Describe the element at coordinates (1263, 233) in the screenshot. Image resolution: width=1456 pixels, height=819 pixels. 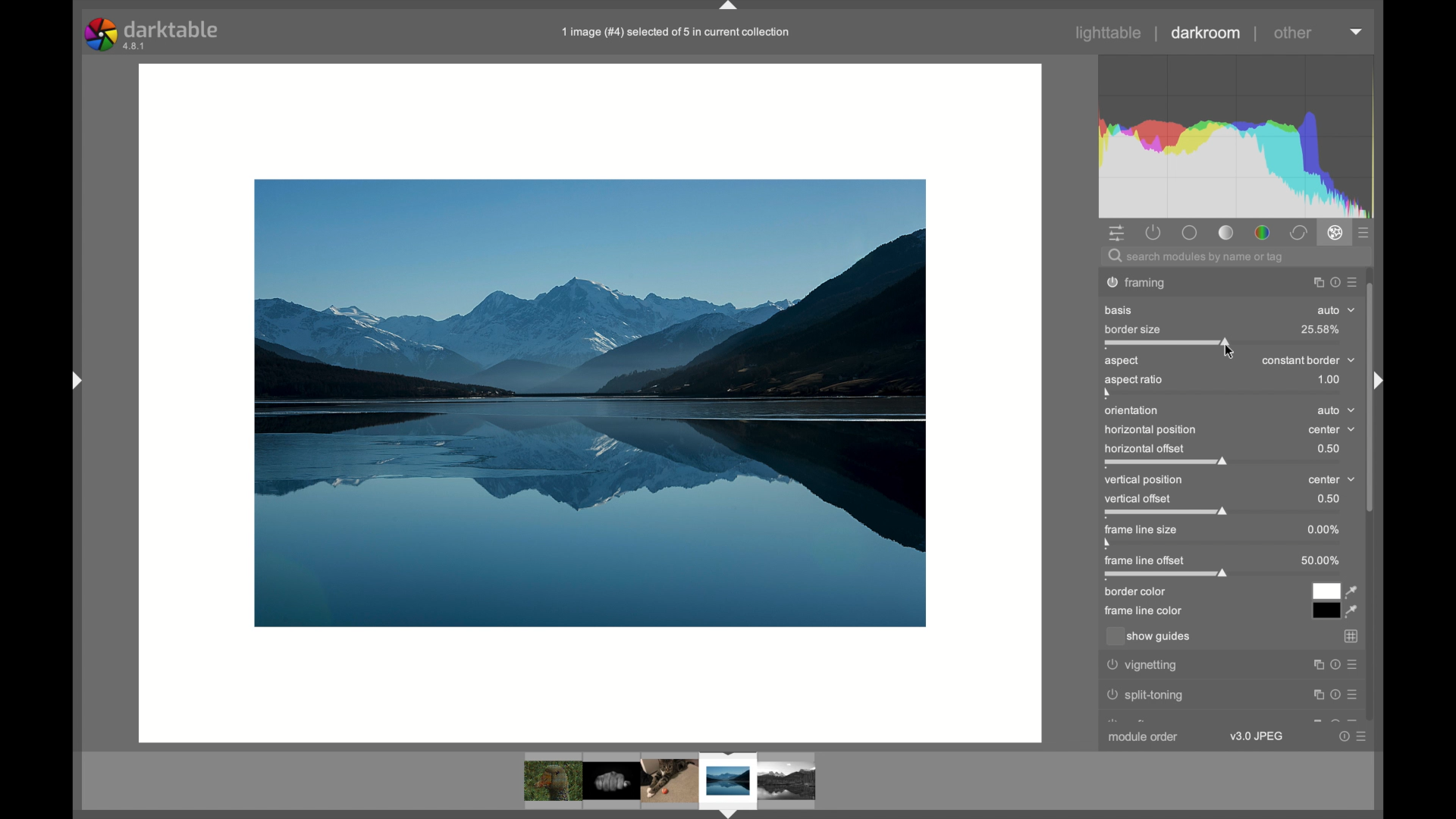
I see `color` at that location.